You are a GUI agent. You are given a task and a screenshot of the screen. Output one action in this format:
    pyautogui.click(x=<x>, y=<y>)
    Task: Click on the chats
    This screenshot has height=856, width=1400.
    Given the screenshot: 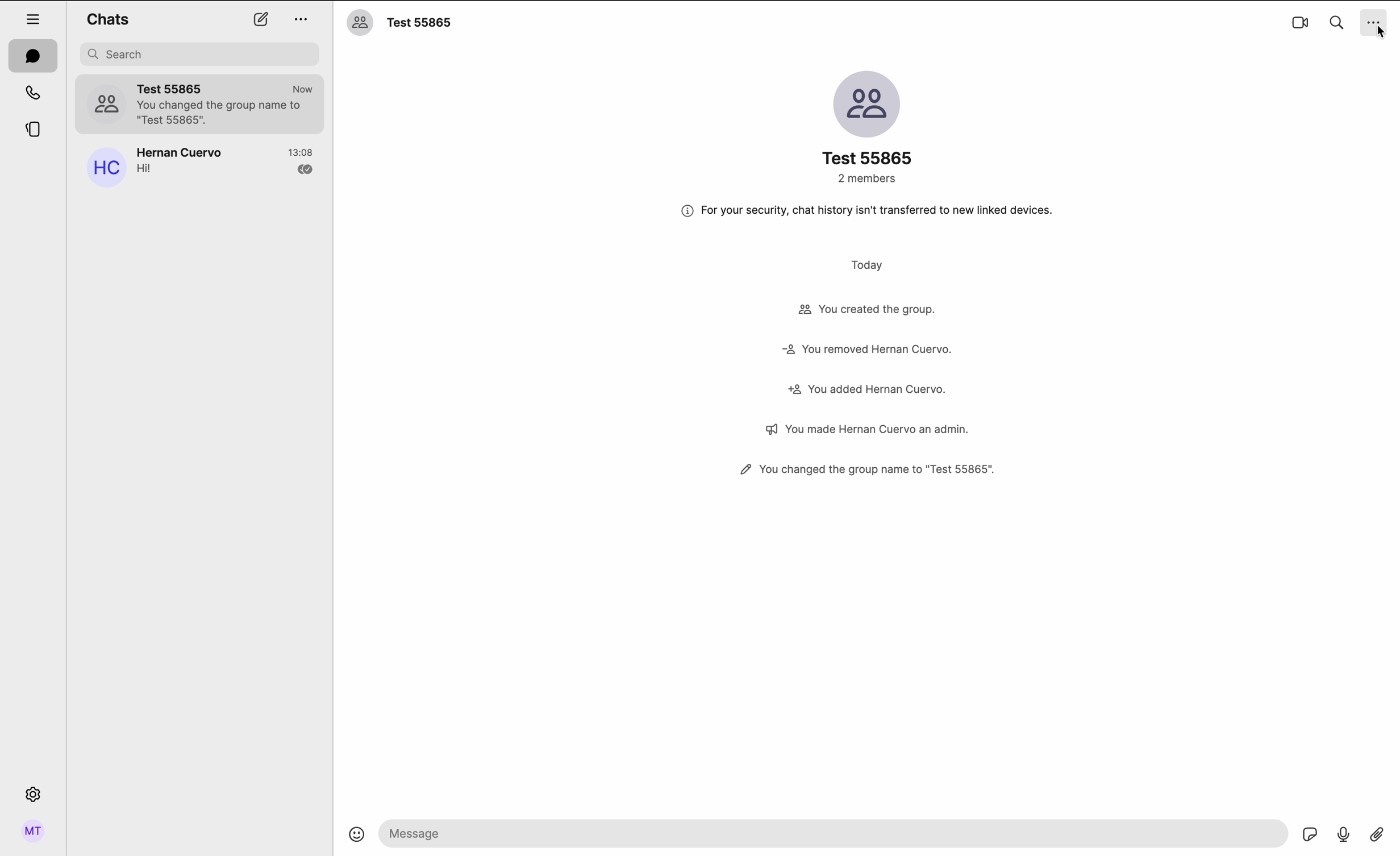 What is the action you would take?
    pyautogui.click(x=32, y=55)
    